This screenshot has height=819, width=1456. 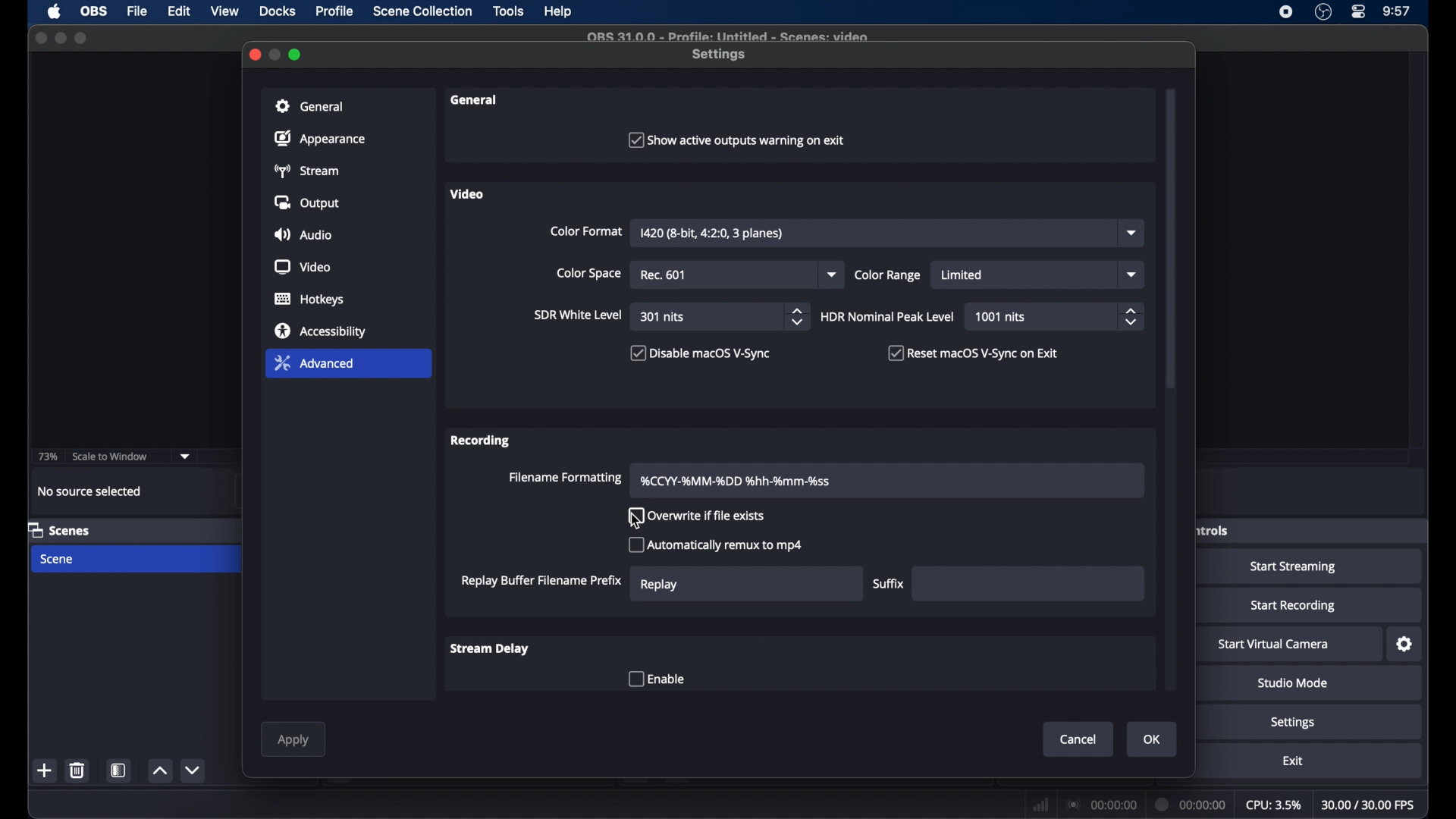 I want to click on dropdown, so click(x=185, y=457).